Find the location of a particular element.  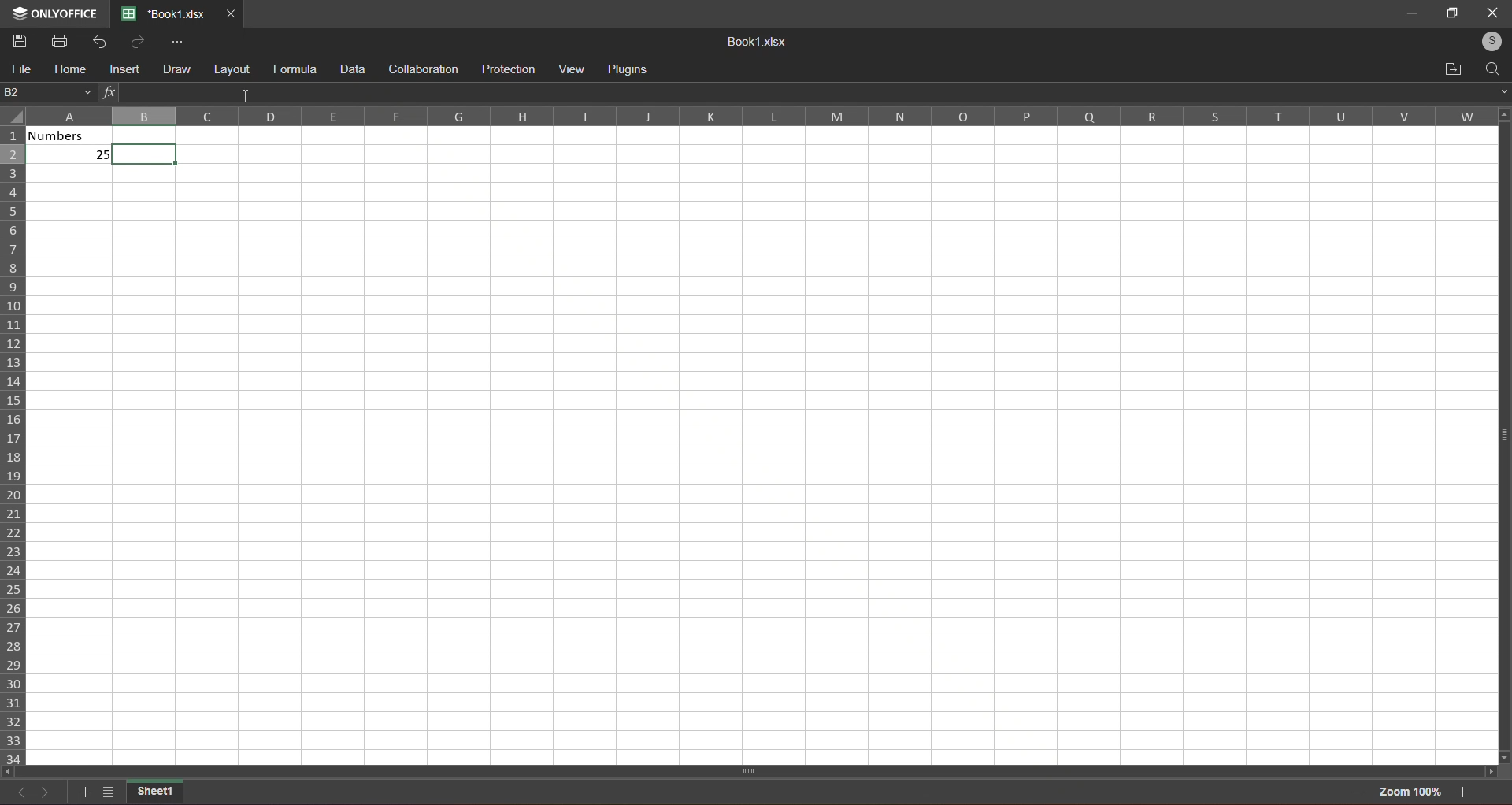

vertical scroll bar is located at coordinates (1501, 446).